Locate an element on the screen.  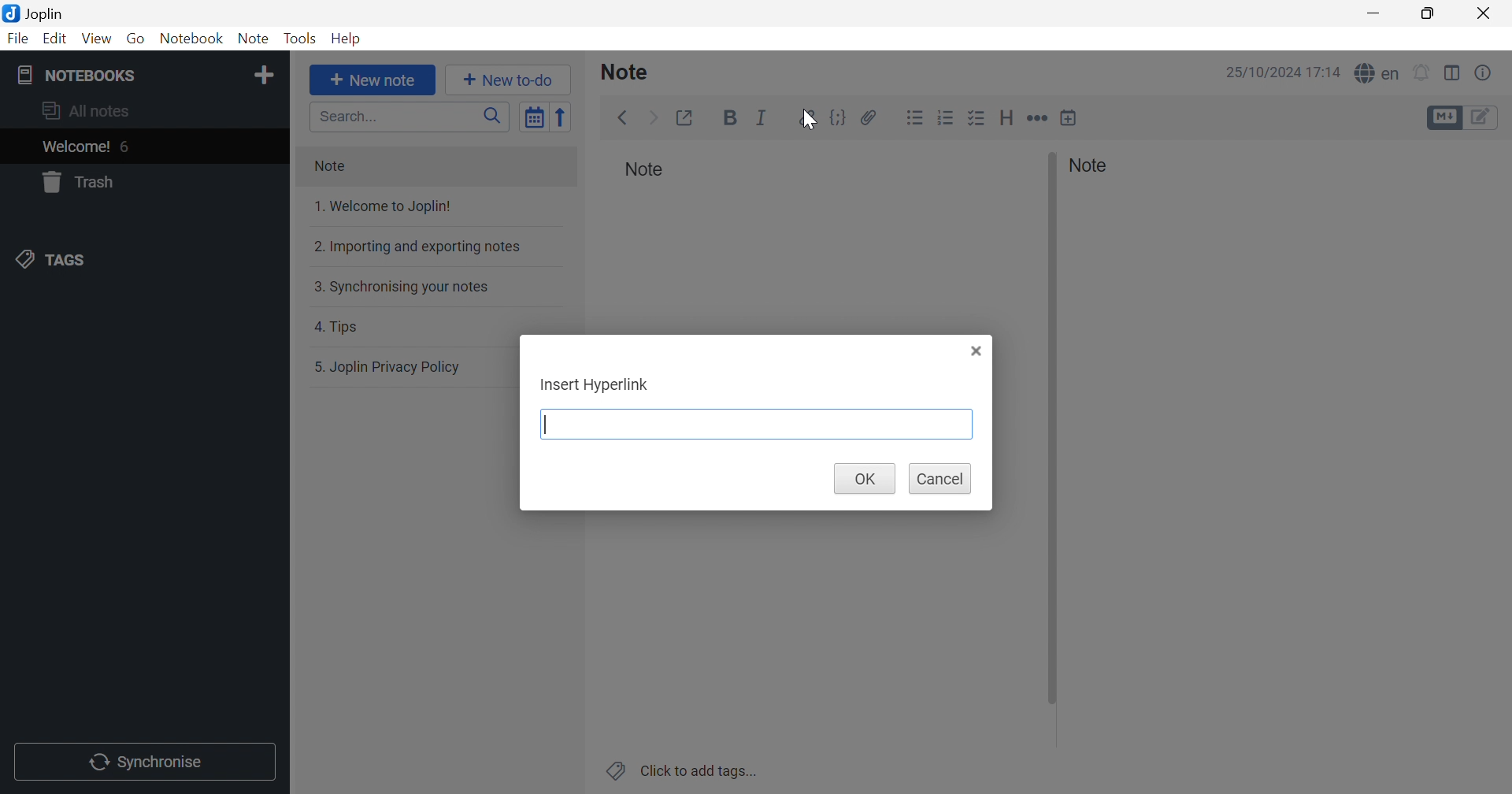
View is located at coordinates (97, 39).